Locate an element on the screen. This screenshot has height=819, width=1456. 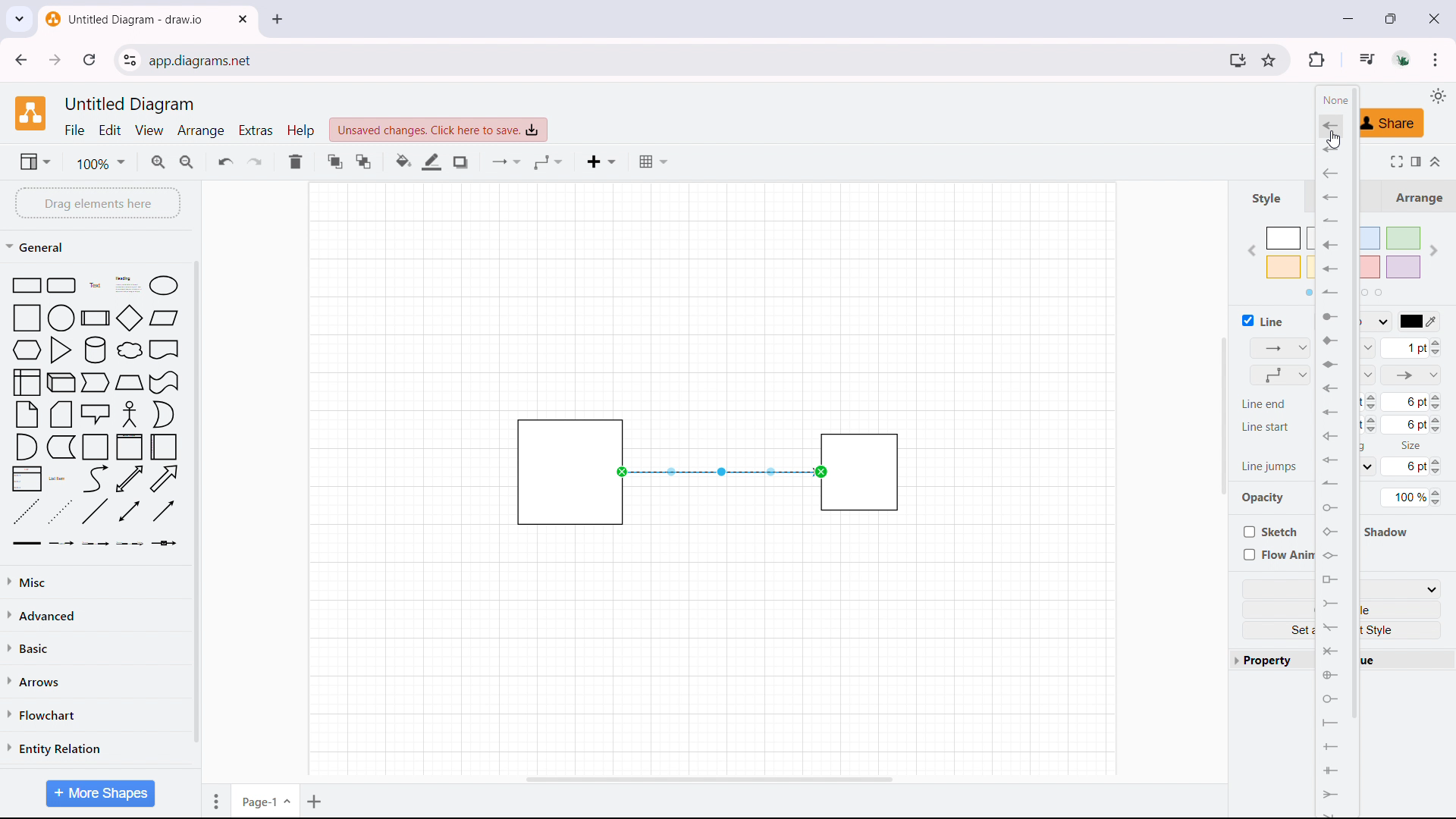
to back is located at coordinates (363, 162).